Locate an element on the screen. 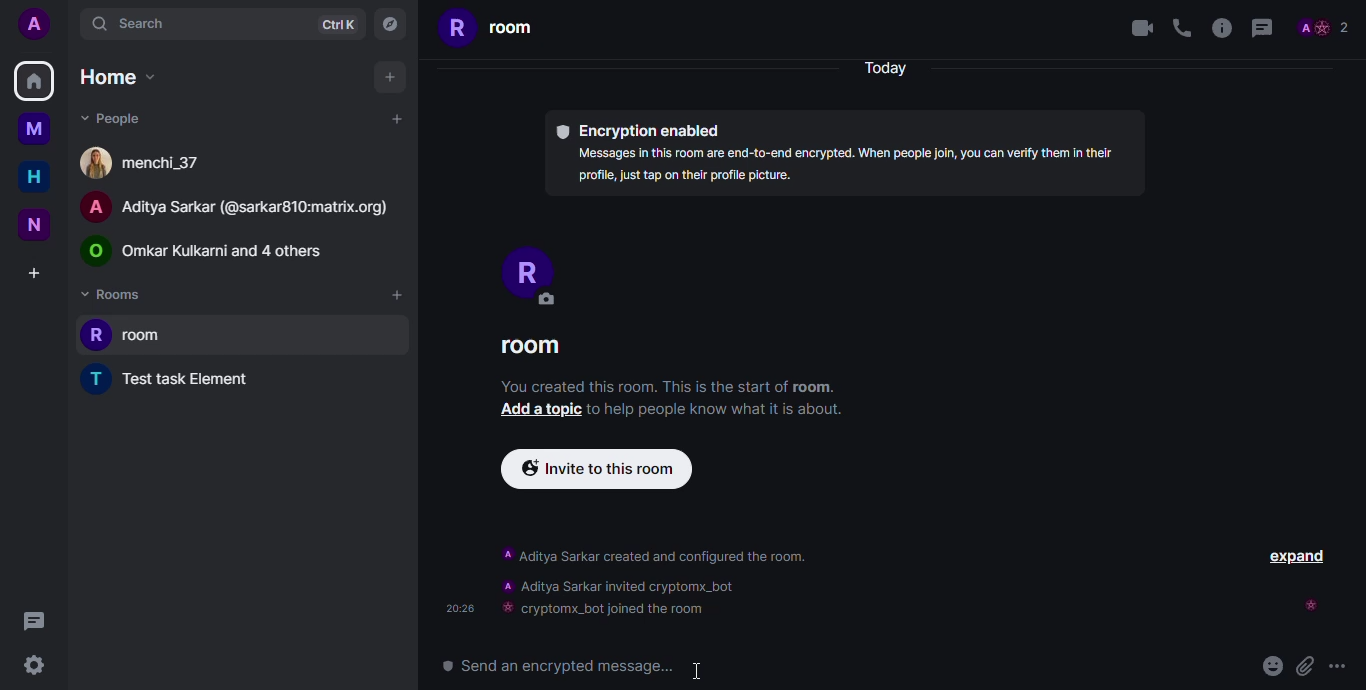 The height and width of the screenshot is (690, 1366). R room is located at coordinates (492, 33).